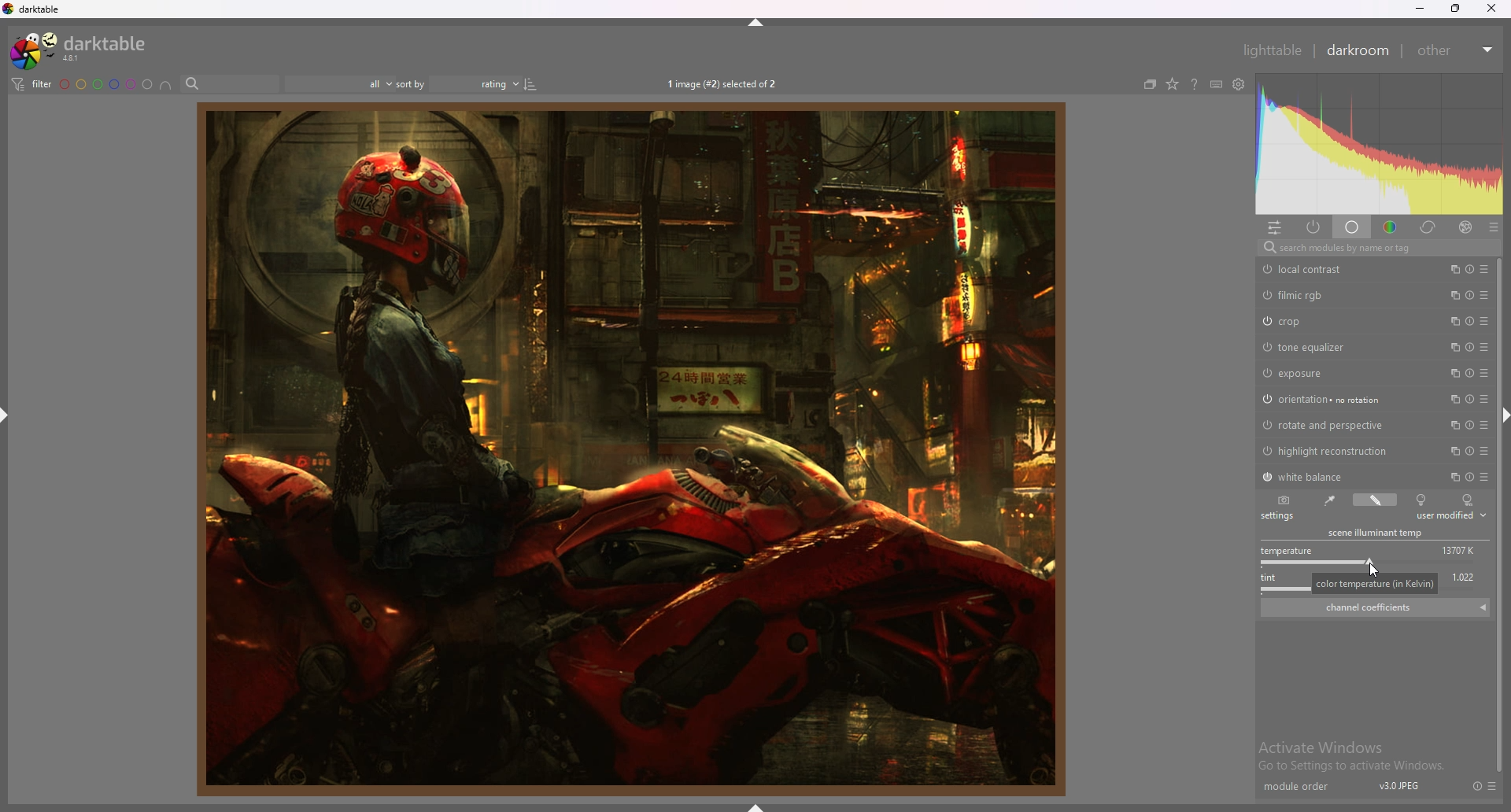 The height and width of the screenshot is (812, 1511). I want to click on search modules, so click(1375, 249).